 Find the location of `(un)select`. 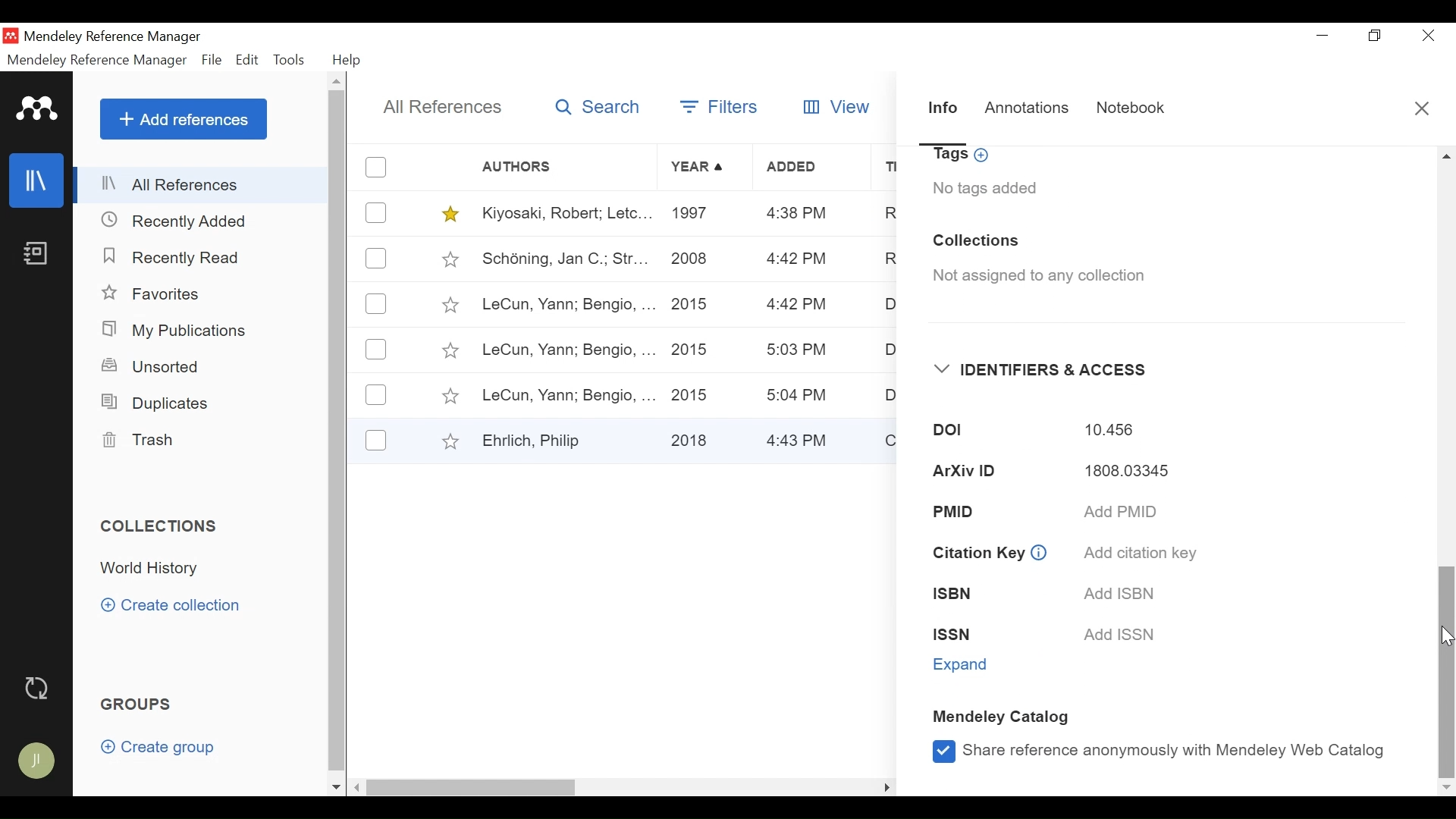

(un)select is located at coordinates (376, 350).